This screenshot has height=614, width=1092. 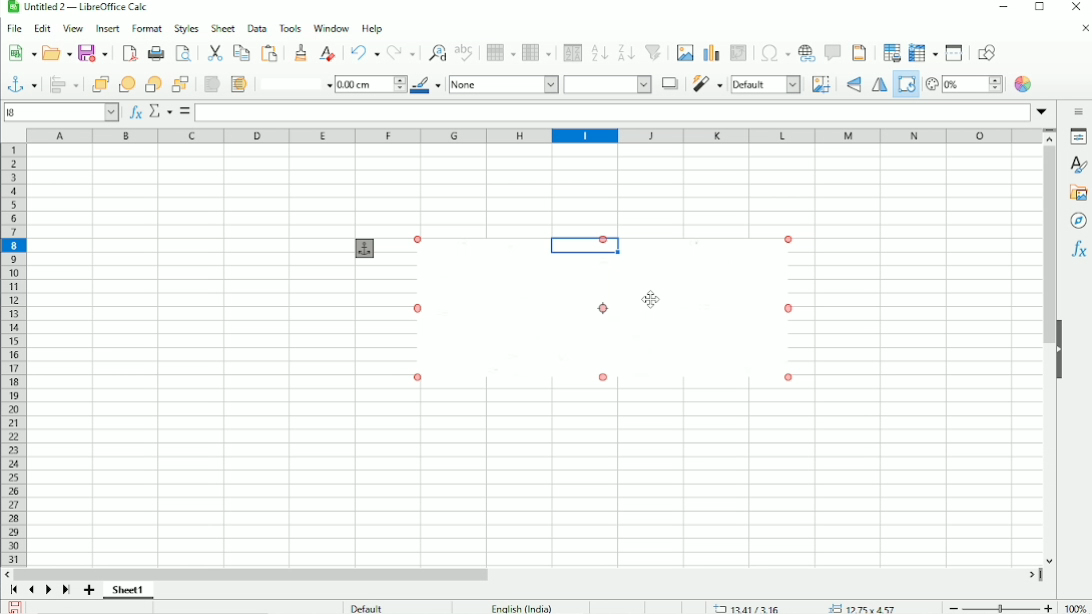 I want to click on To foreground, so click(x=212, y=84).